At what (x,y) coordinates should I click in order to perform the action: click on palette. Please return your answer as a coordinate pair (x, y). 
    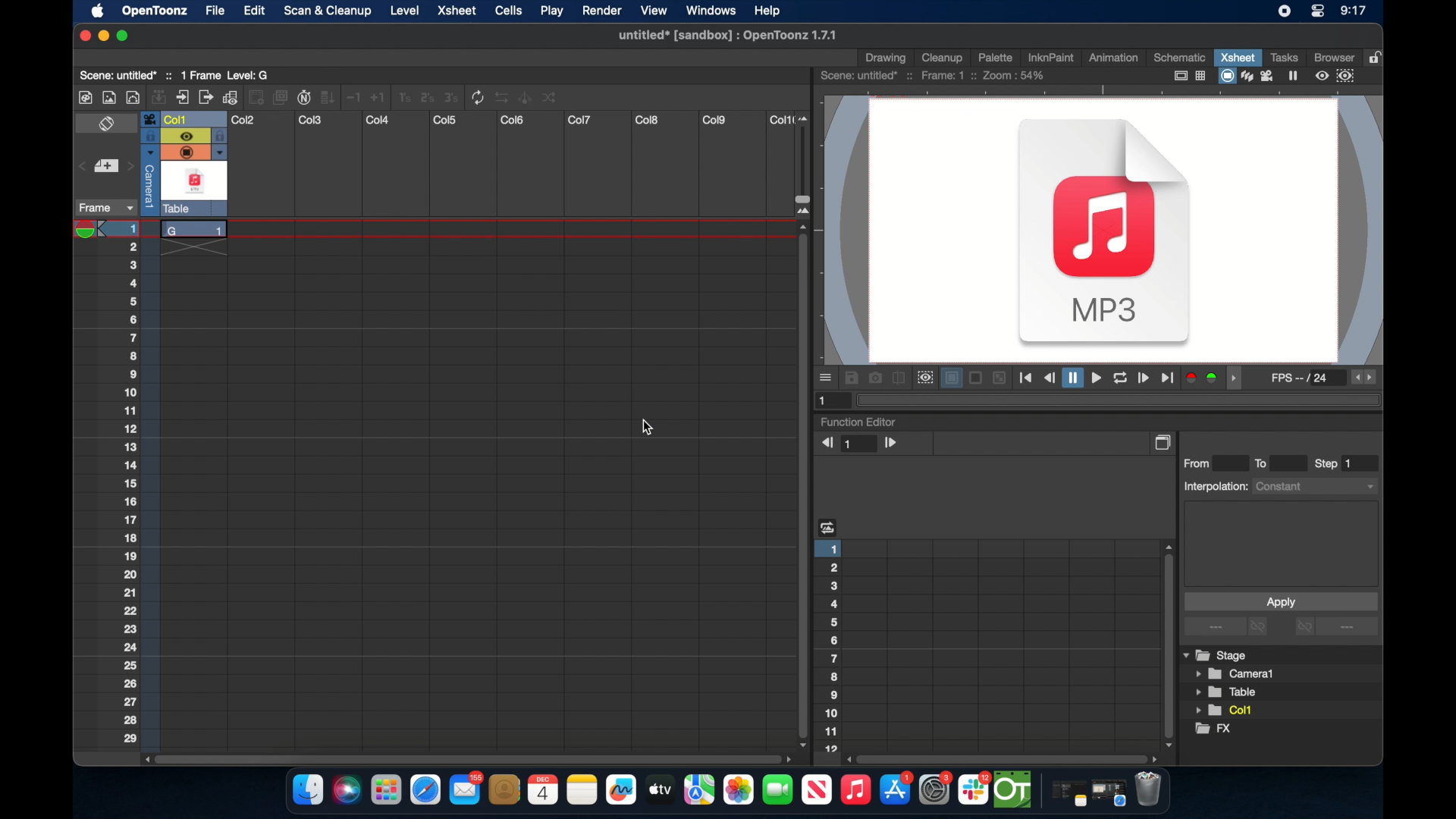
    Looking at the image, I should click on (996, 57).